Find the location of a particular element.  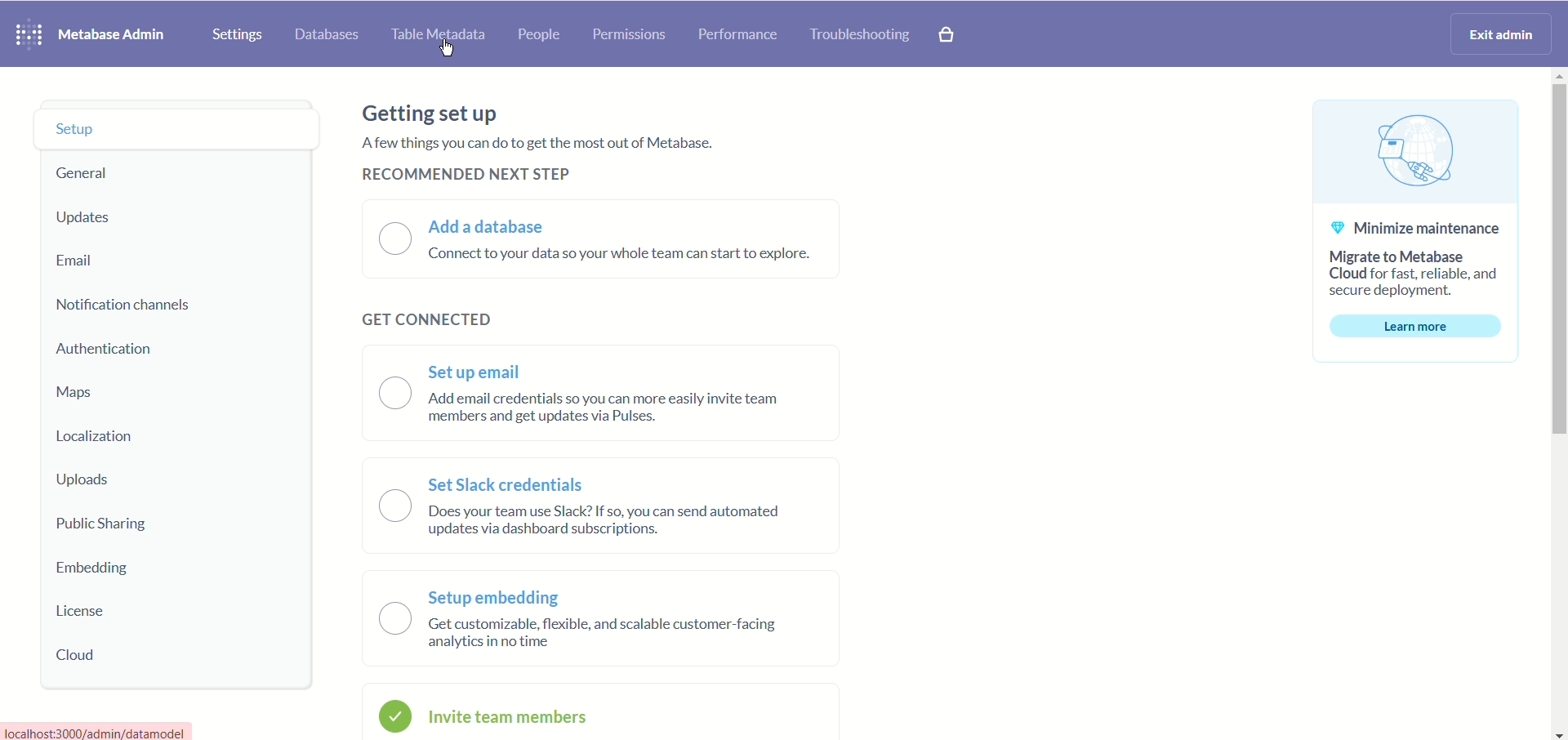

Learn more is located at coordinates (1420, 325).